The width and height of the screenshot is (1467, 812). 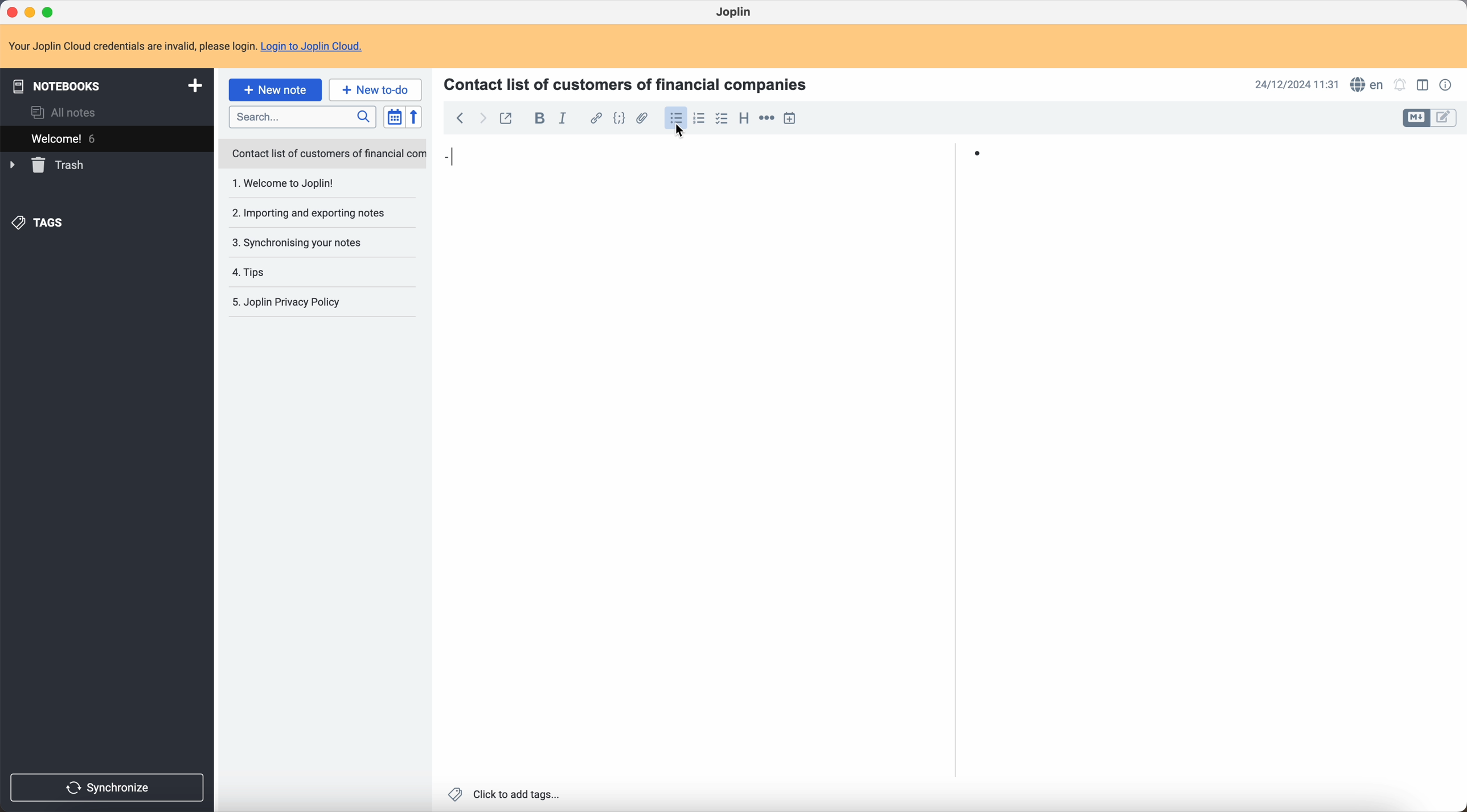 I want to click on click on bulleted list, so click(x=675, y=121).